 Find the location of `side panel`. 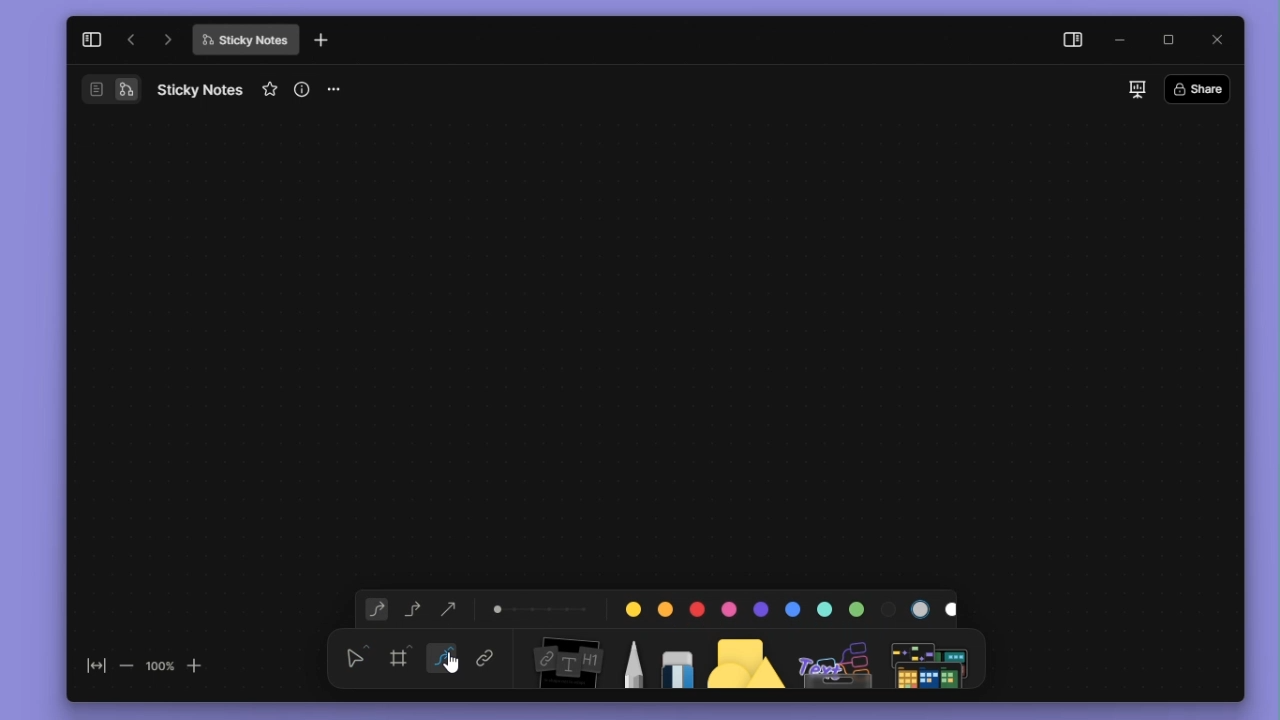

side panel is located at coordinates (1069, 42).